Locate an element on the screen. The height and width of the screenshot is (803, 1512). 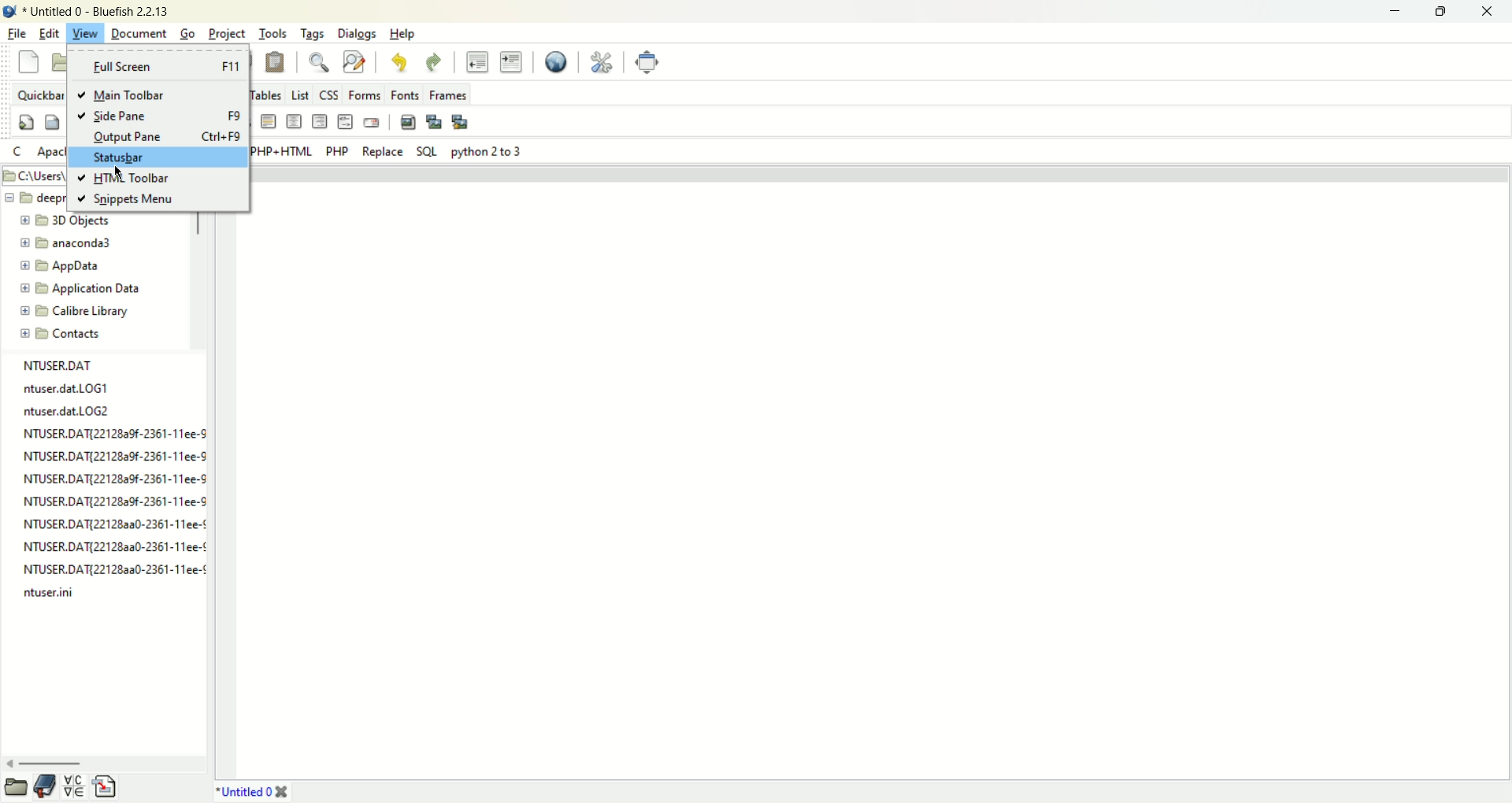
bookmarks is located at coordinates (46, 787).